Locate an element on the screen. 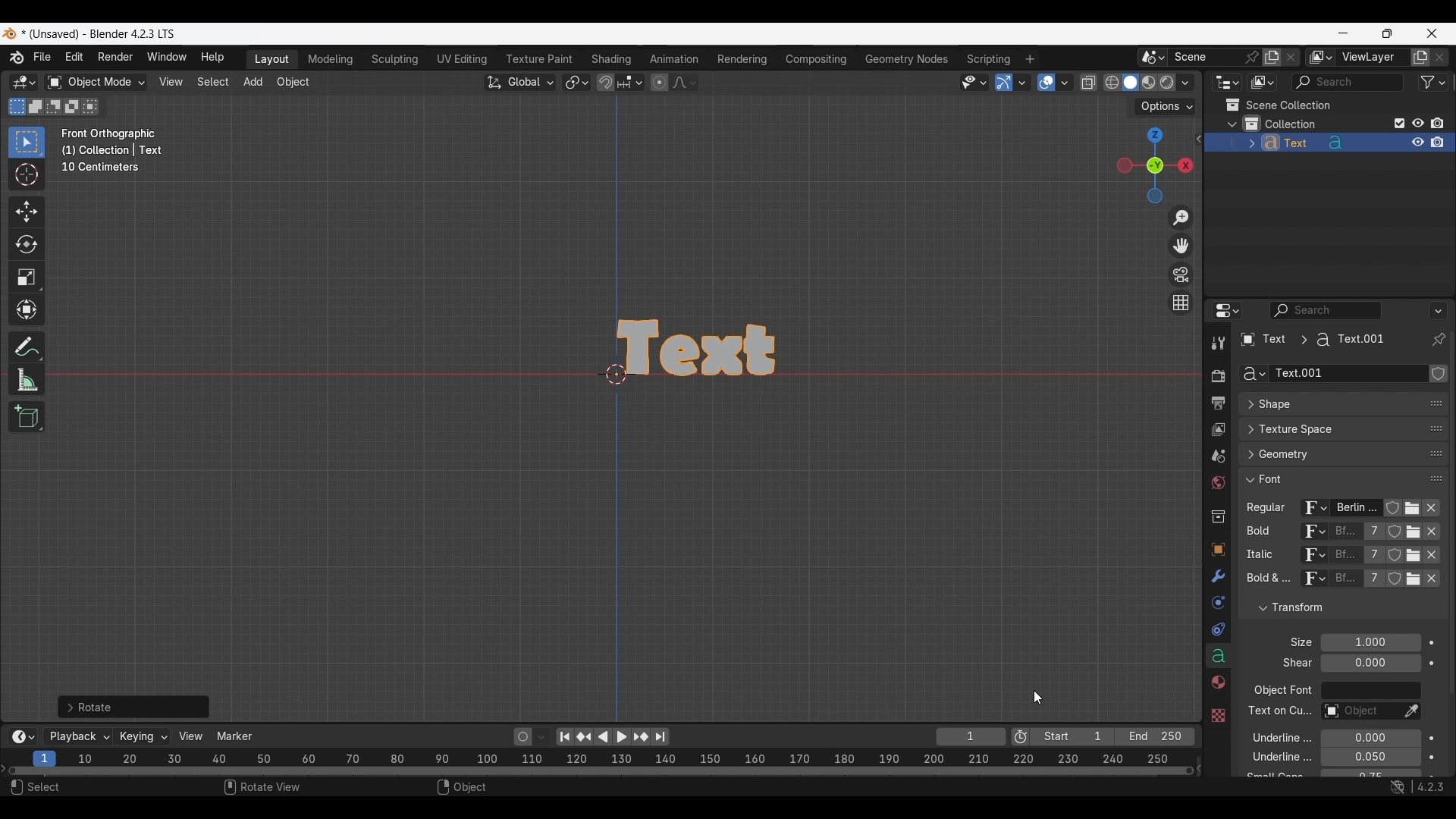 The height and width of the screenshot is (819, 1456). regular is located at coordinates (1269, 509).